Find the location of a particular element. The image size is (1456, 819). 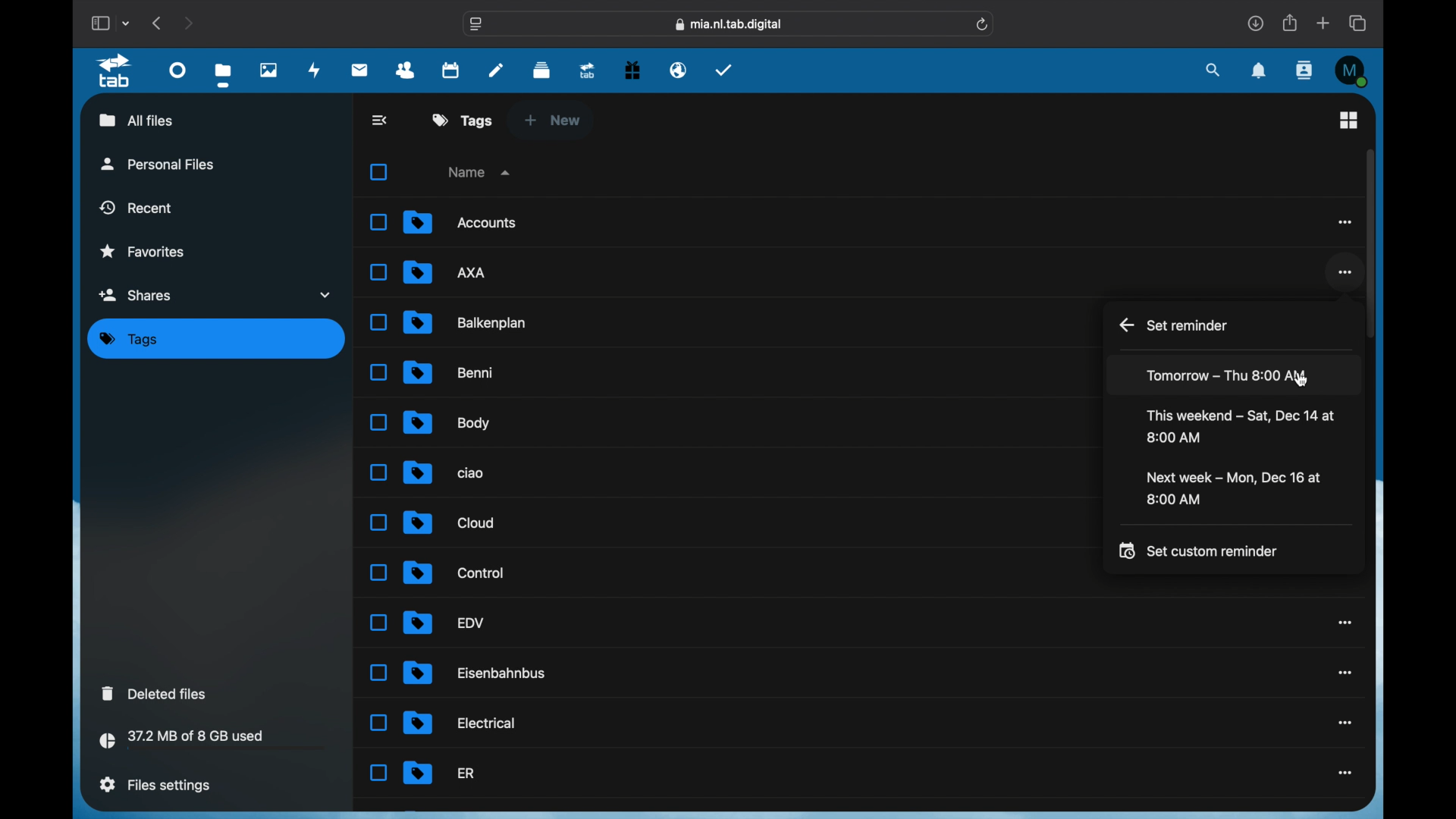

Select all checkbox is located at coordinates (378, 173).